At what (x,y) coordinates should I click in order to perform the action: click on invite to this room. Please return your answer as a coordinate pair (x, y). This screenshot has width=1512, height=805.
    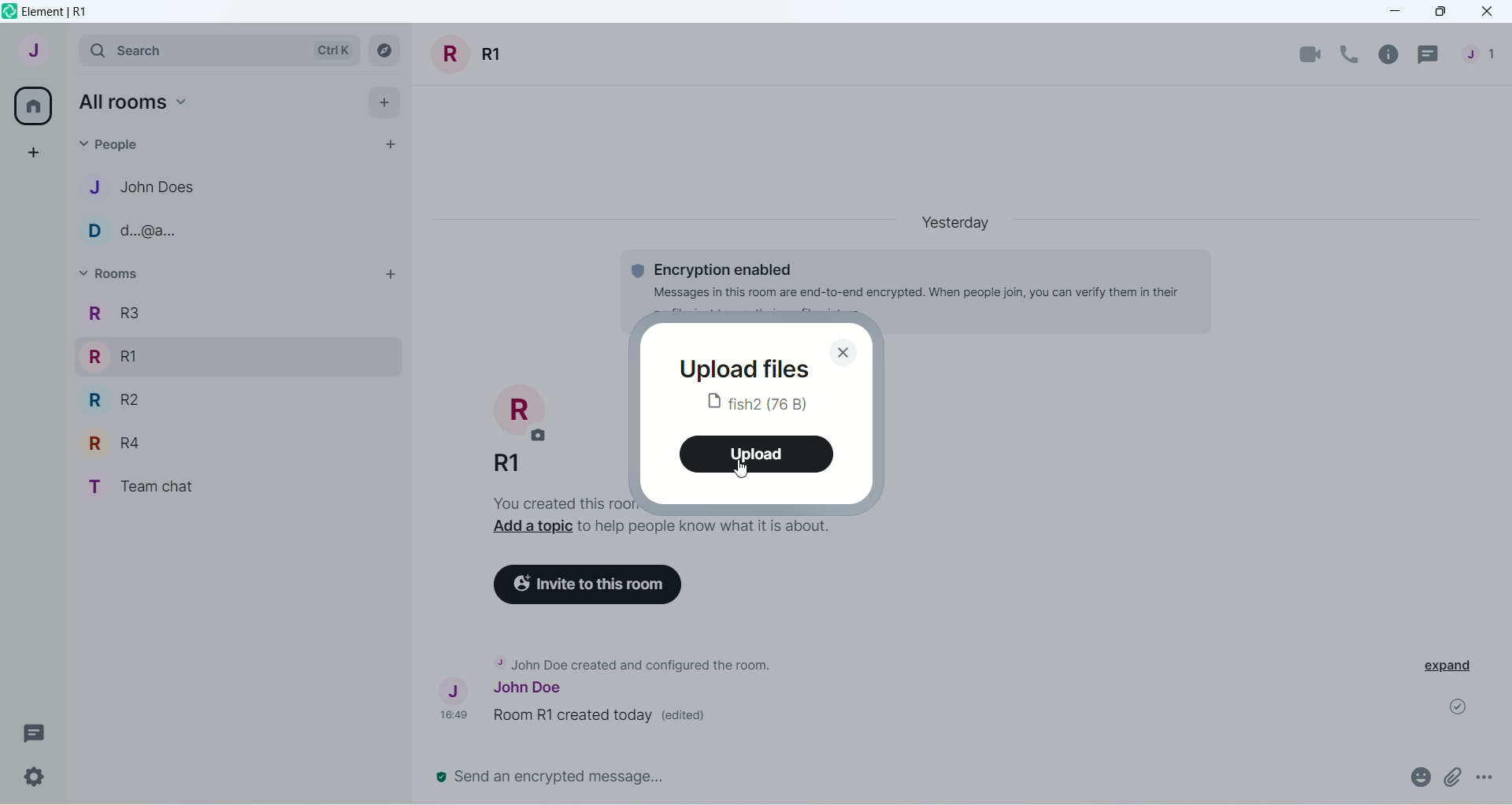
    Looking at the image, I should click on (590, 584).